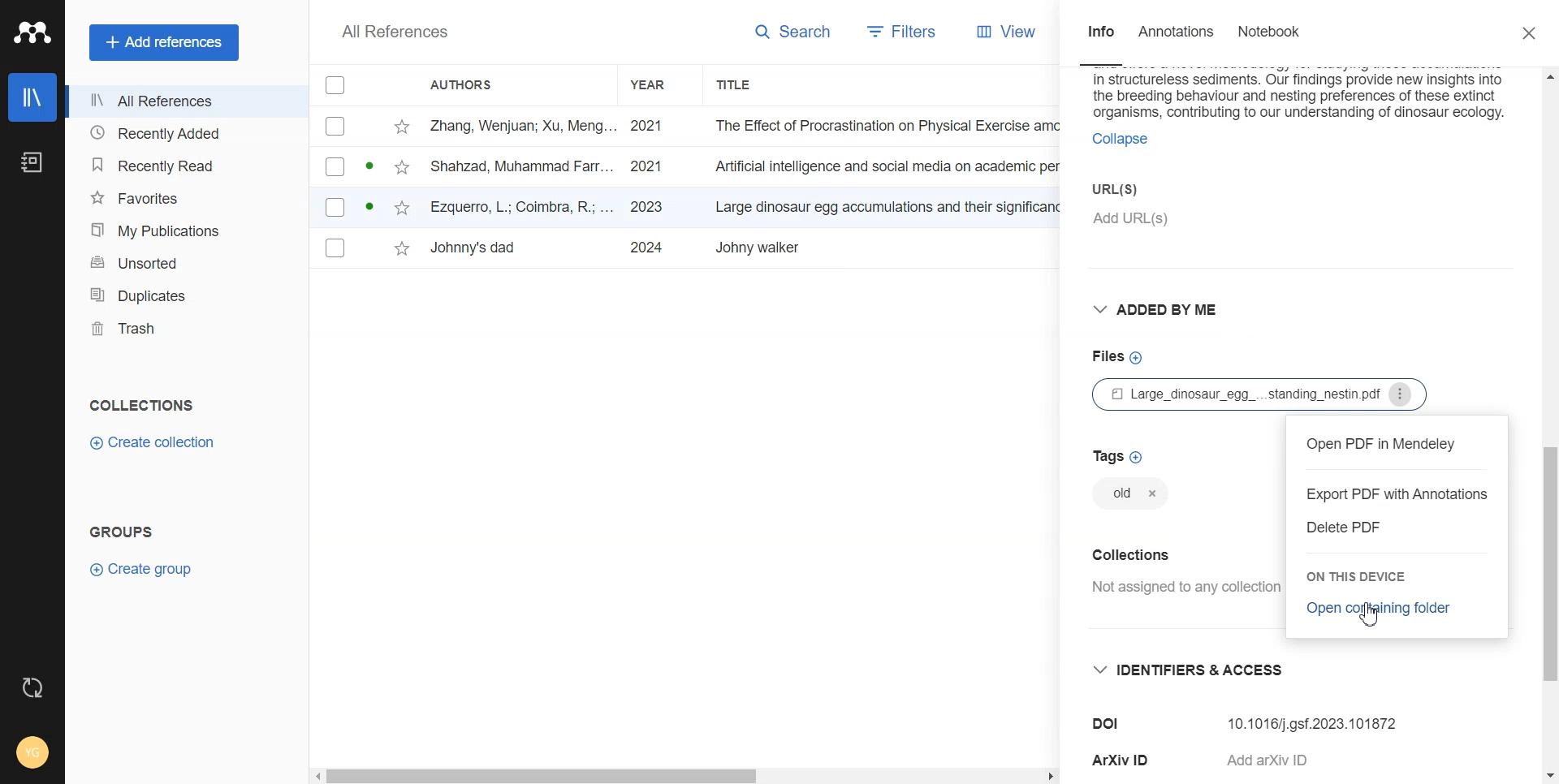  I want to click on All References, so click(179, 101).